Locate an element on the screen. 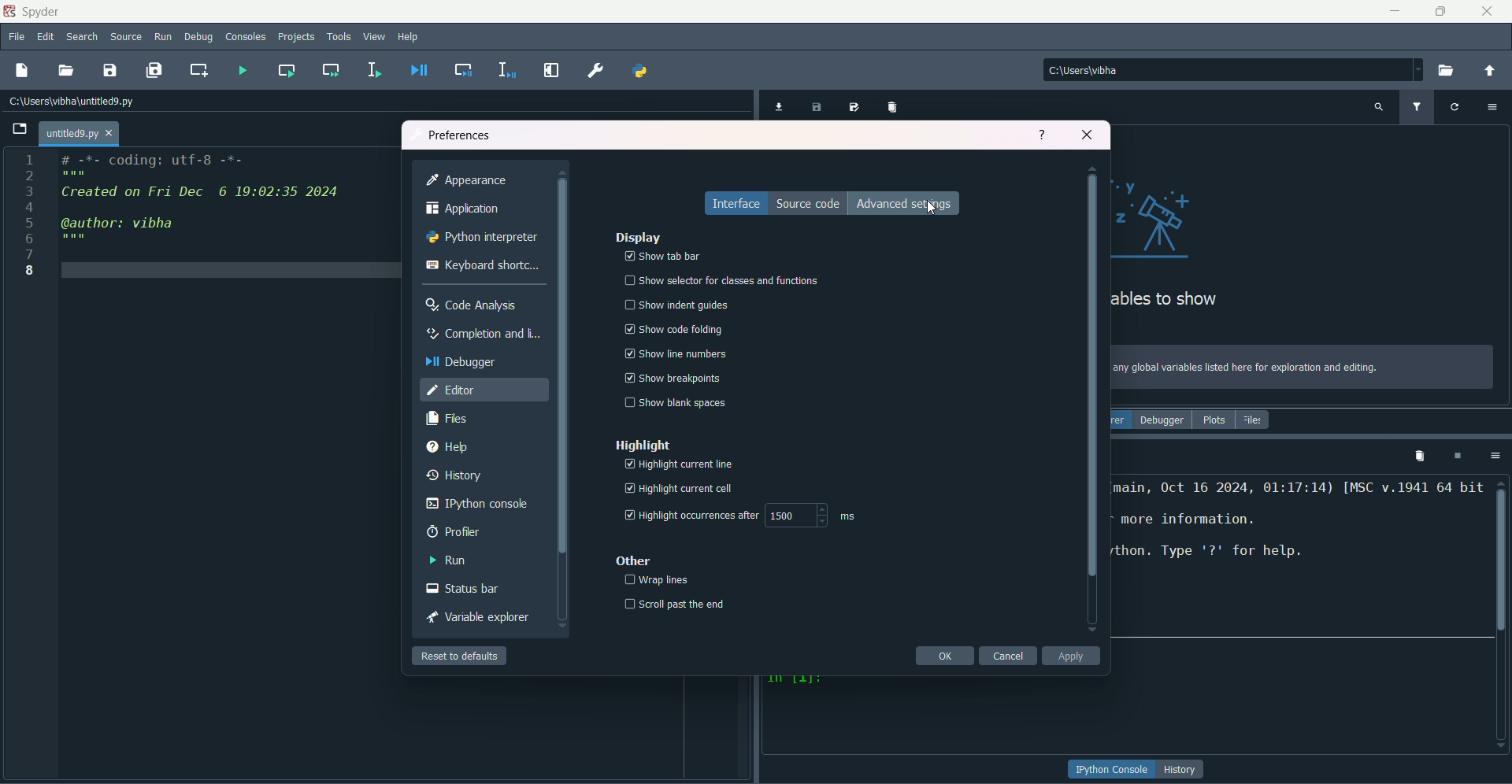 This screenshot has height=784, width=1512. tools is located at coordinates (343, 39).